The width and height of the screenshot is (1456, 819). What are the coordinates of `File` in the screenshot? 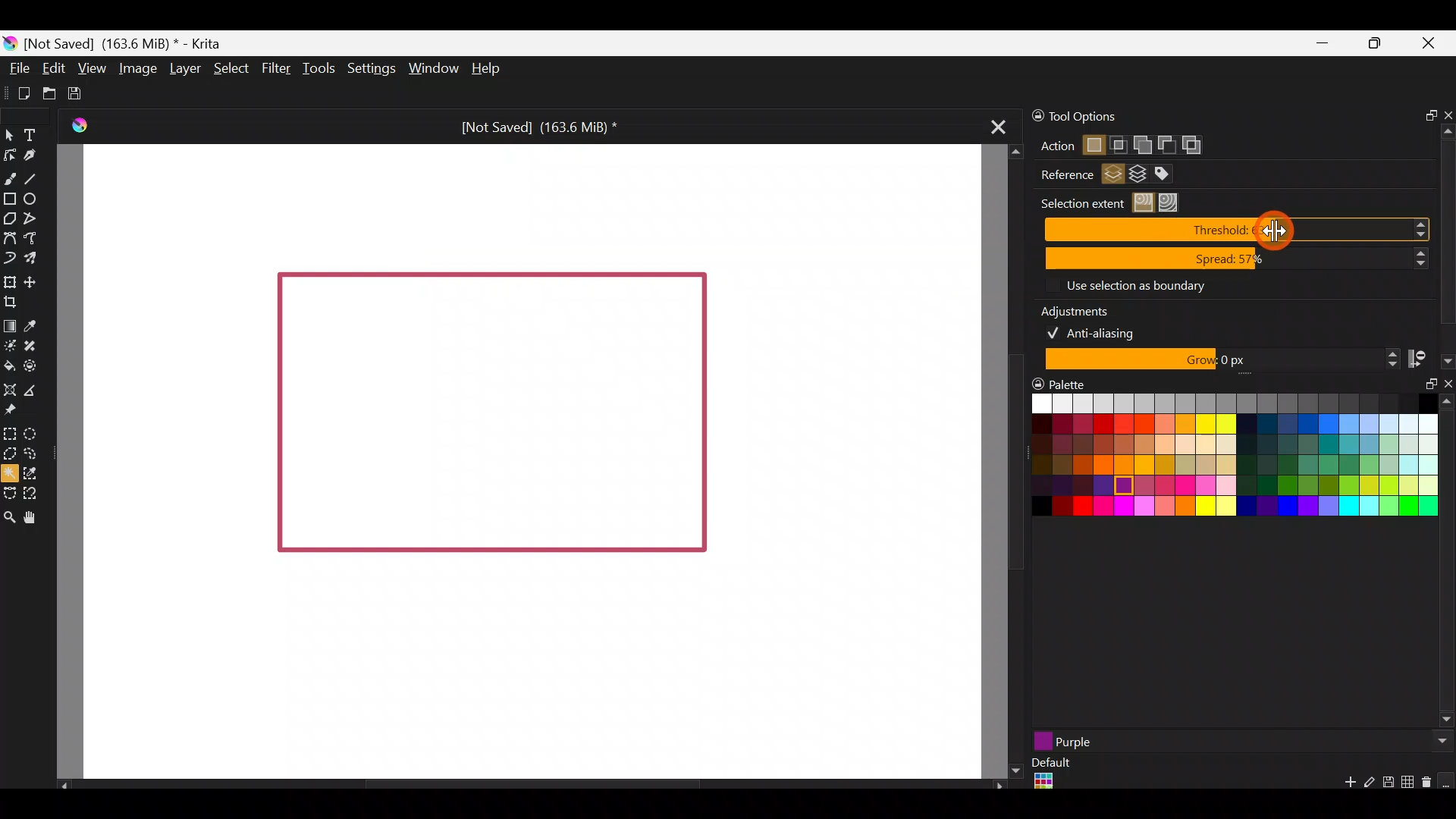 It's located at (20, 67).